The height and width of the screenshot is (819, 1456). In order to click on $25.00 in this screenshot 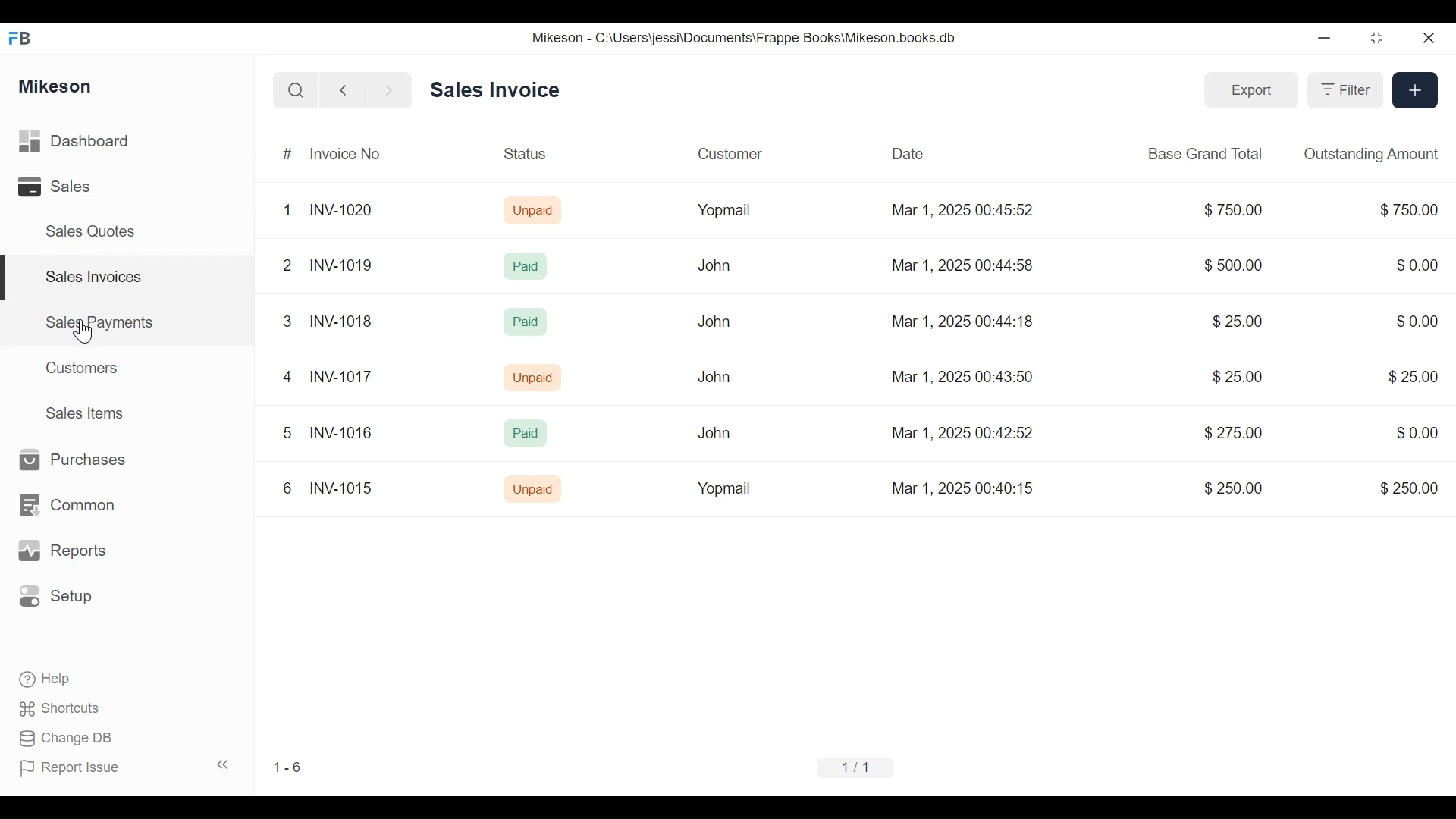, I will do `click(1237, 322)`.